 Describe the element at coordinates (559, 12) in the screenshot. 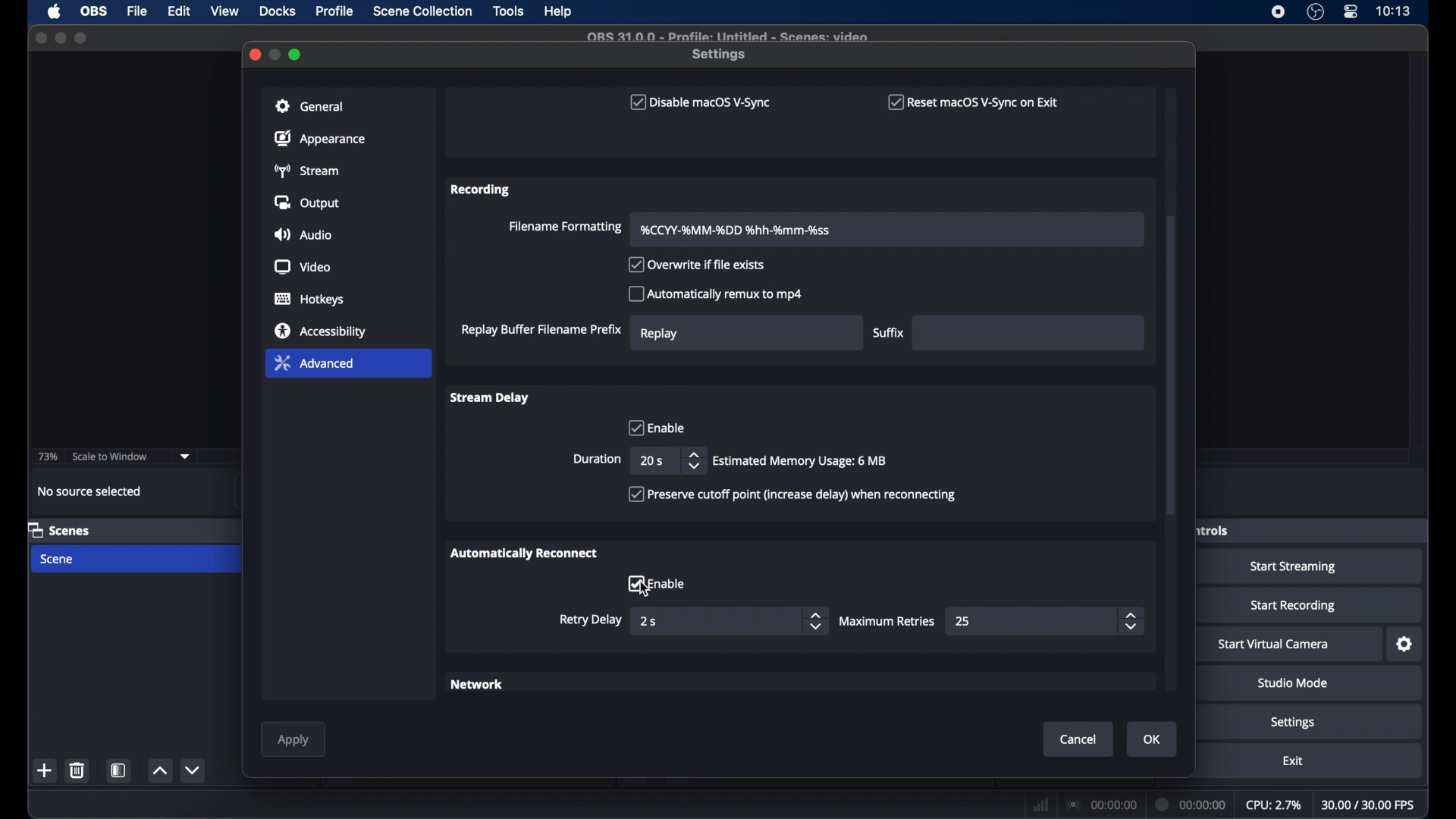

I see `help` at that location.